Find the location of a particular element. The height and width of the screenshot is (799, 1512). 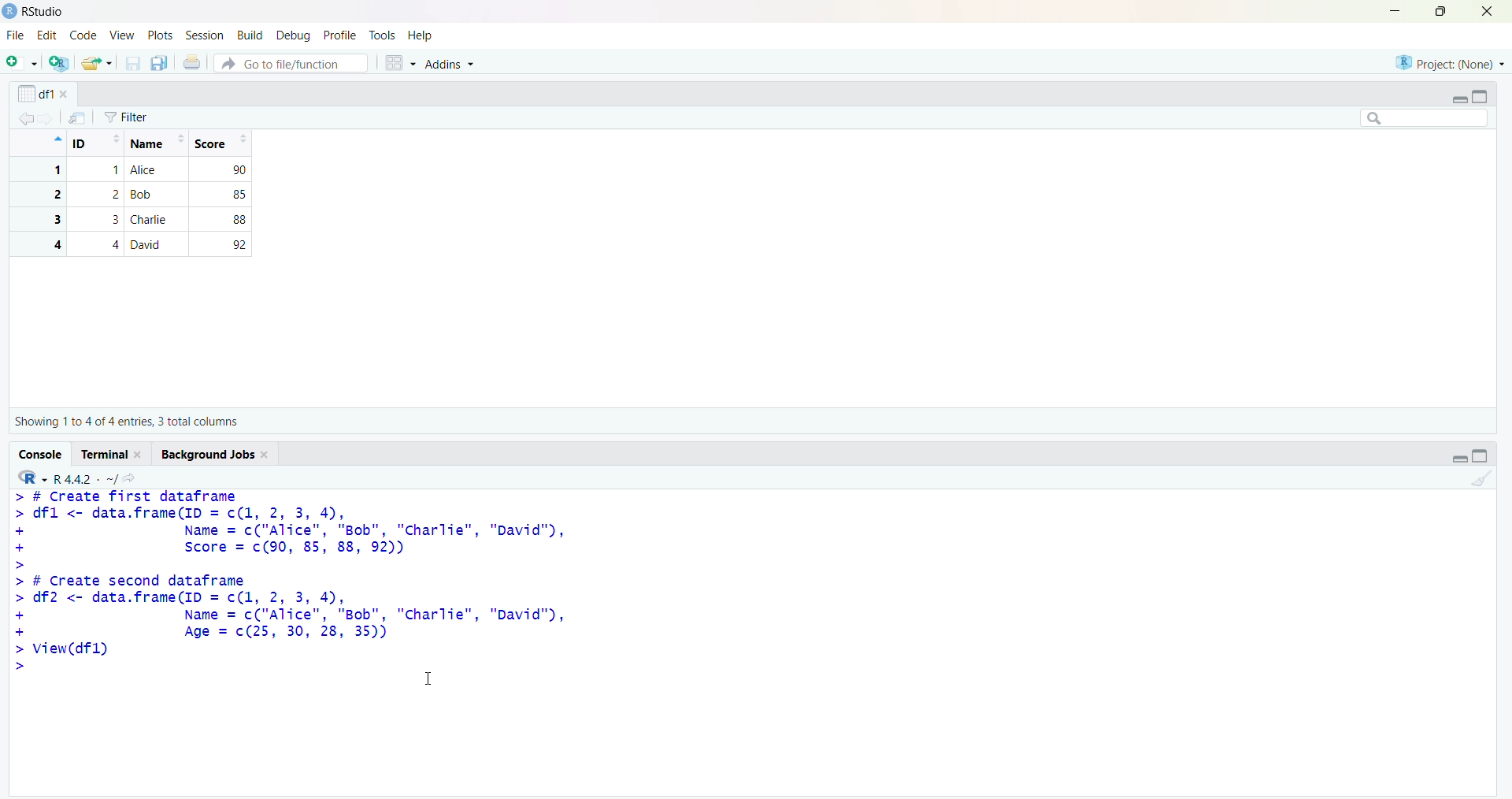

clean is located at coordinates (1483, 479).